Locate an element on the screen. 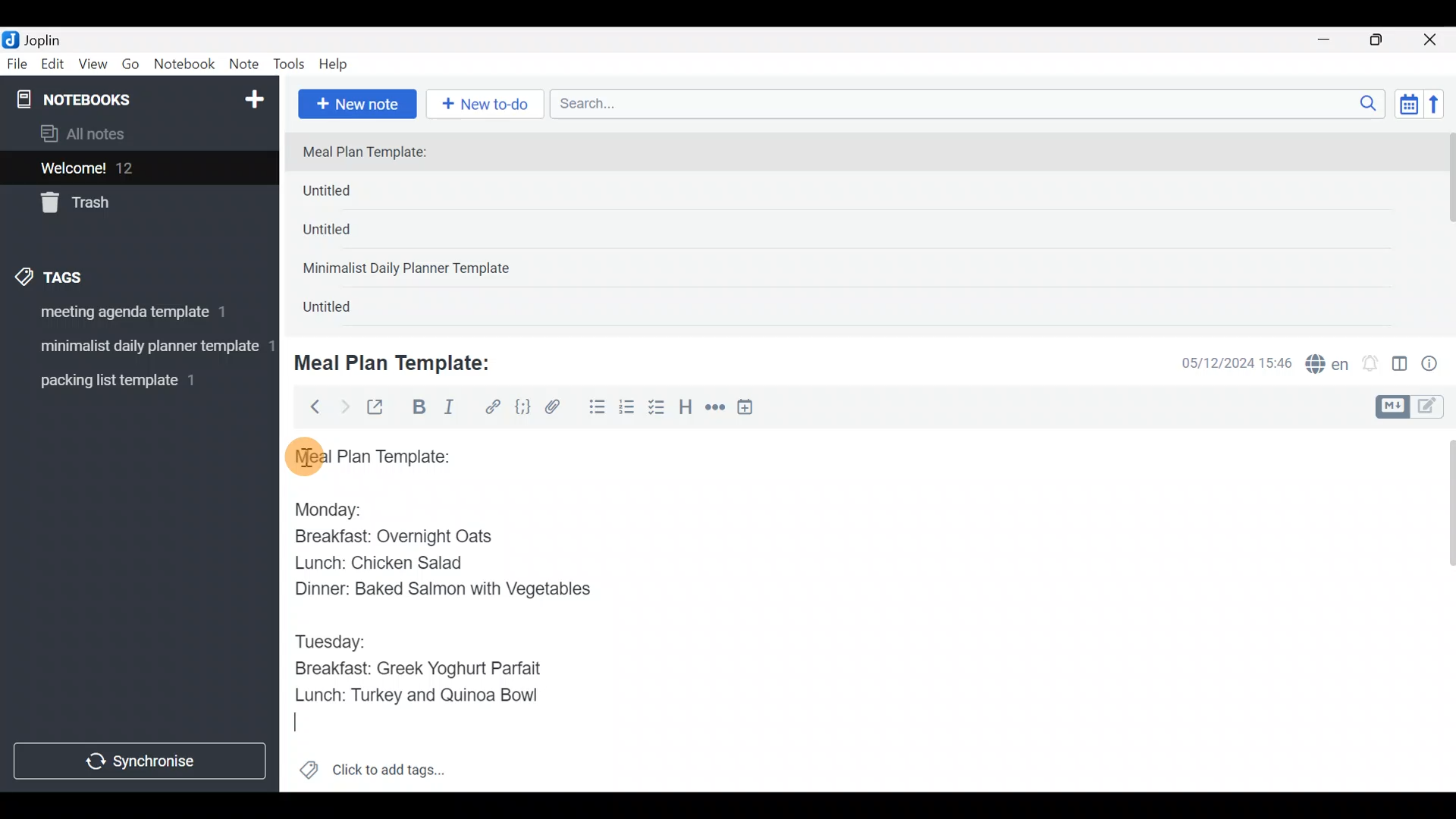 This screenshot has height=819, width=1456. Tools is located at coordinates (290, 65).